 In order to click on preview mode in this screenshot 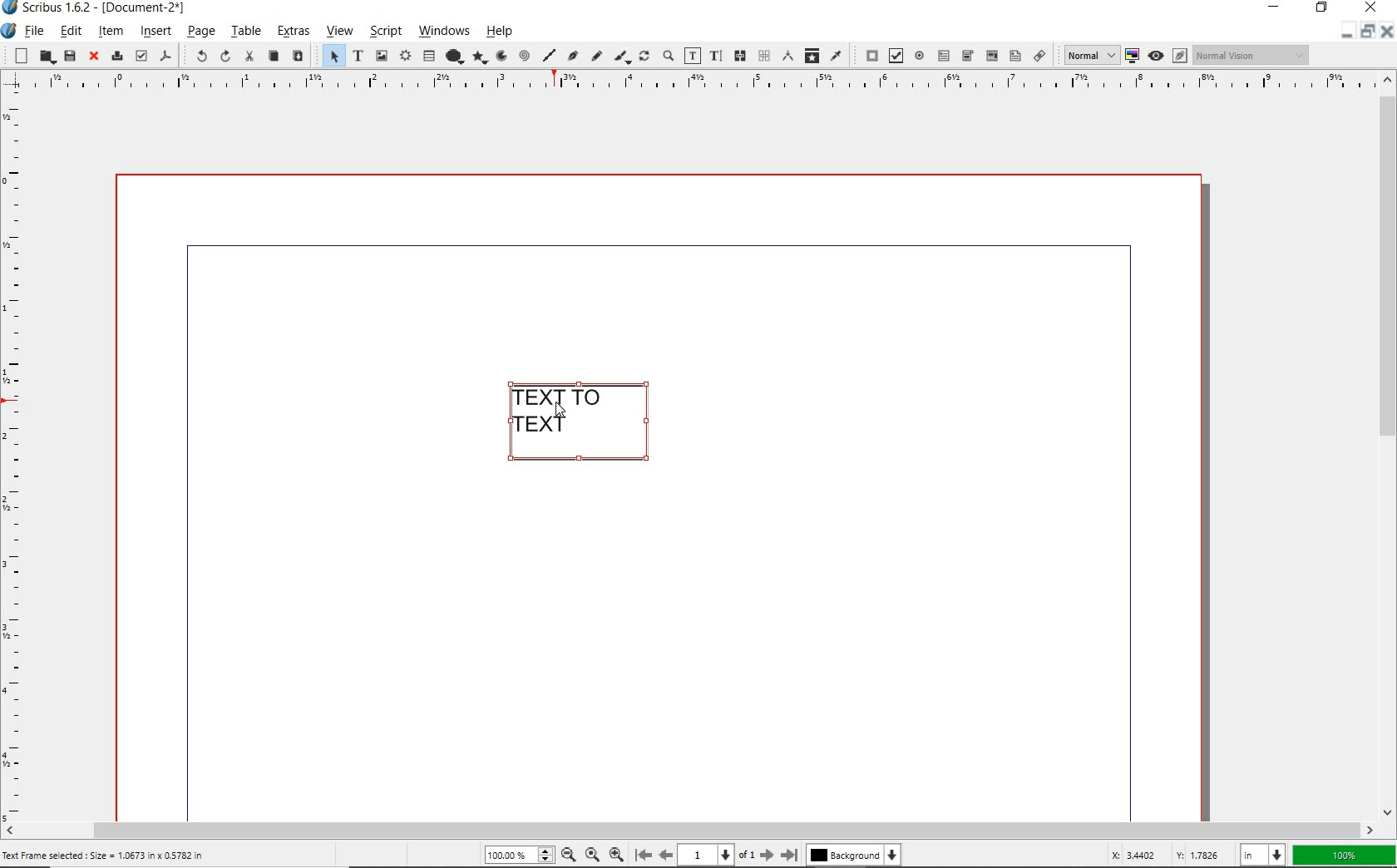, I will do `click(1168, 56)`.